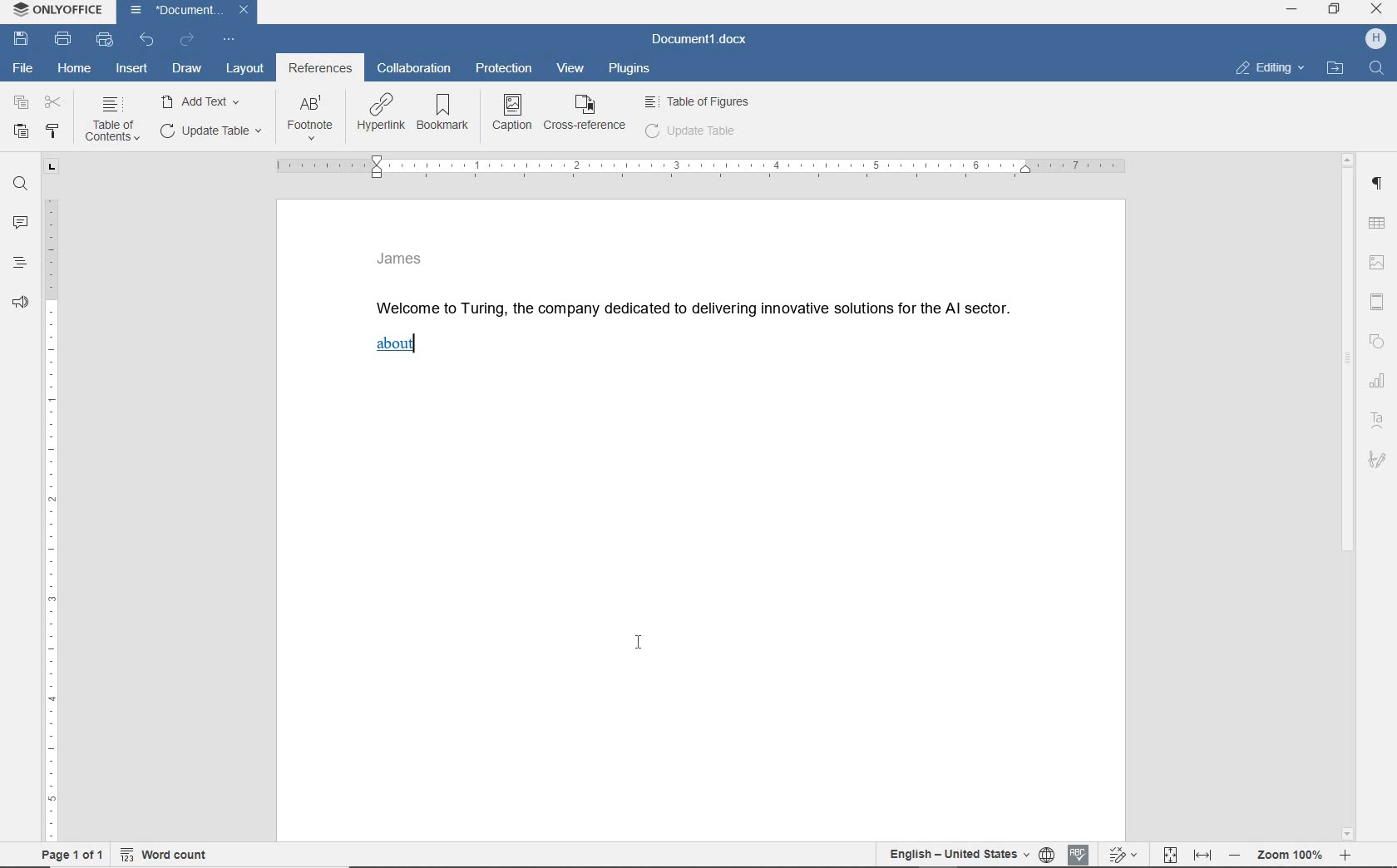 The image size is (1397, 868). Describe the element at coordinates (691, 131) in the screenshot. I see `update table` at that location.